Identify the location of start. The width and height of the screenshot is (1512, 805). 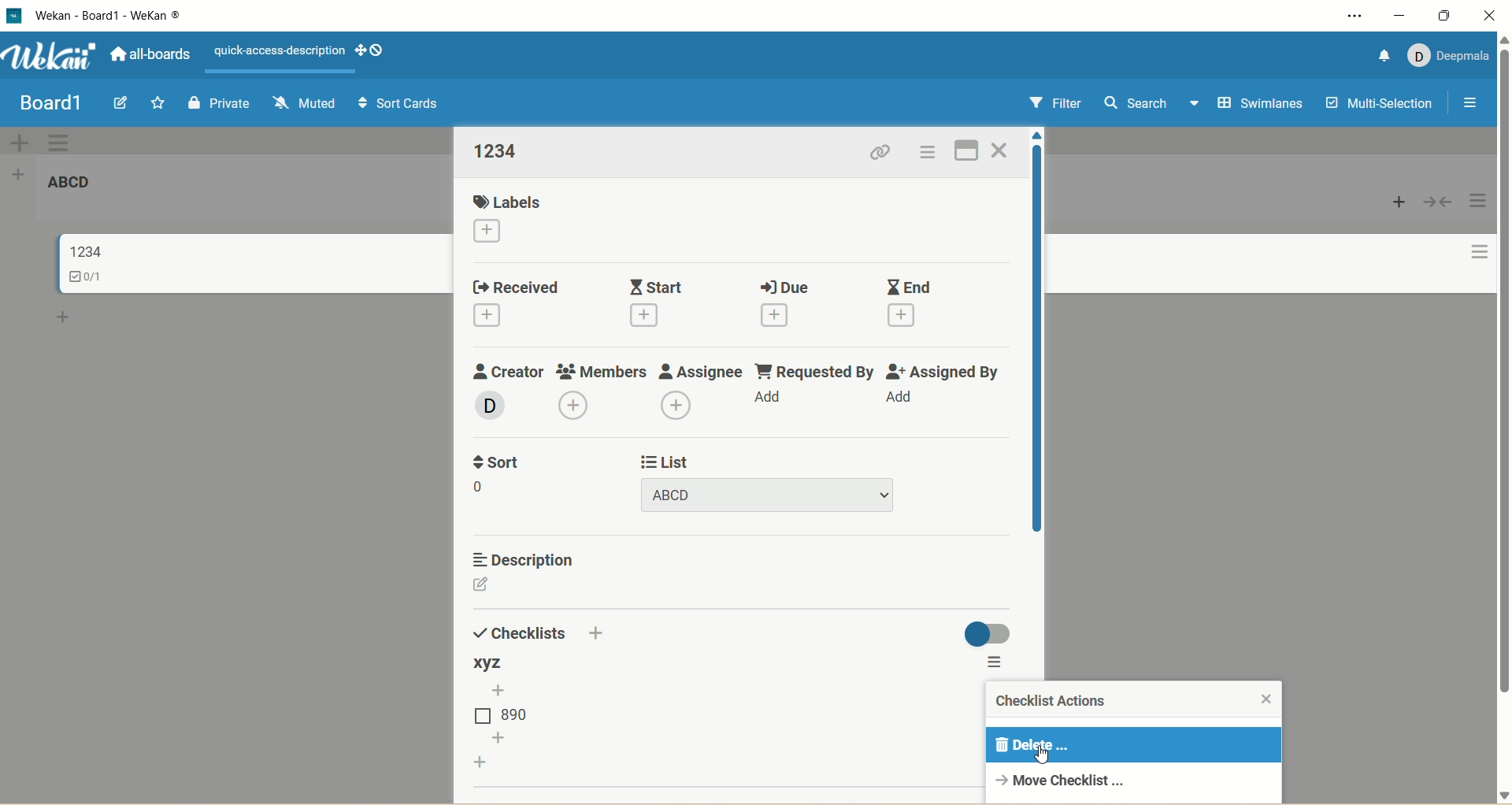
(661, 283).